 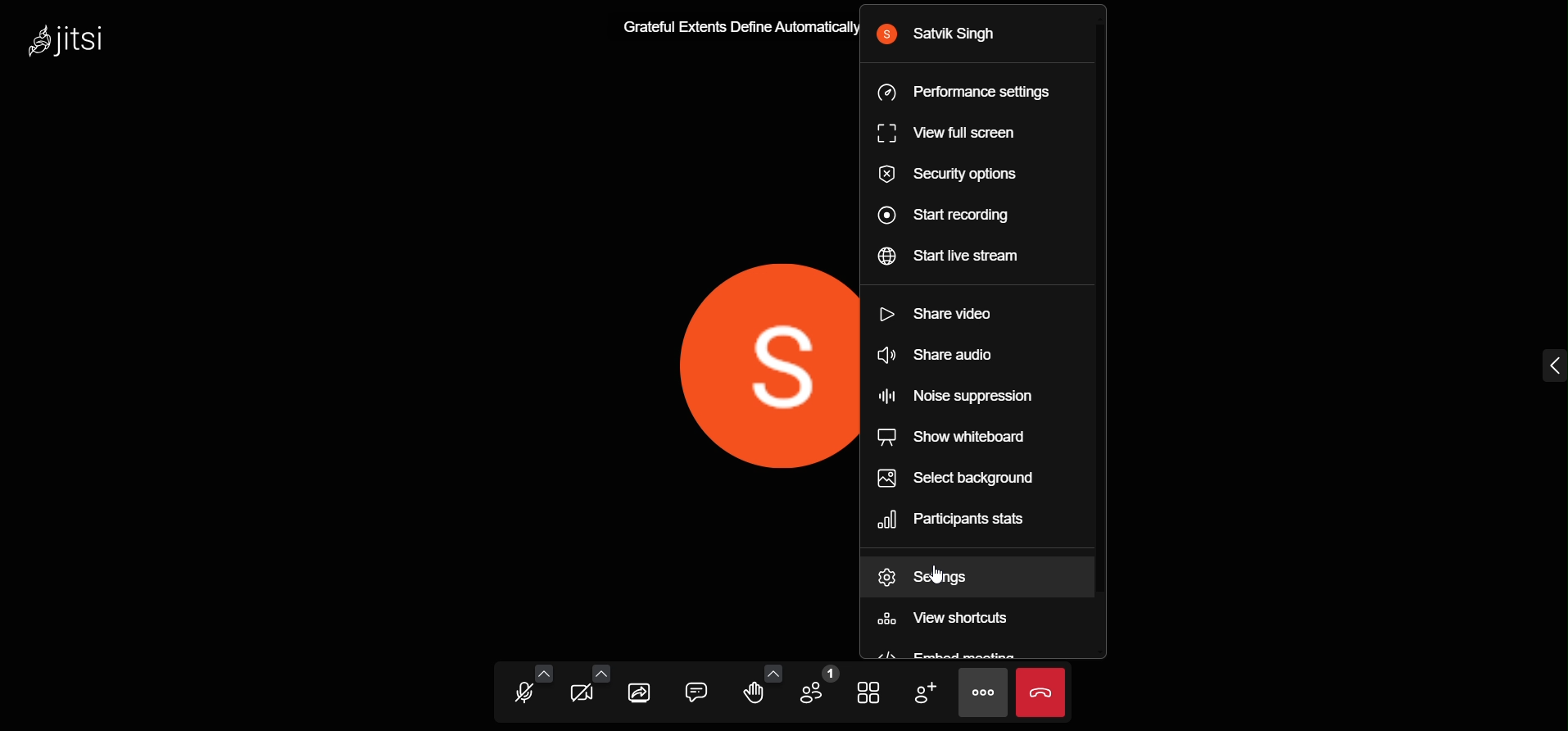 What do you see at coordinates (581, 697) in the screenshot?
I see `video` at bounding box center [581, 697].